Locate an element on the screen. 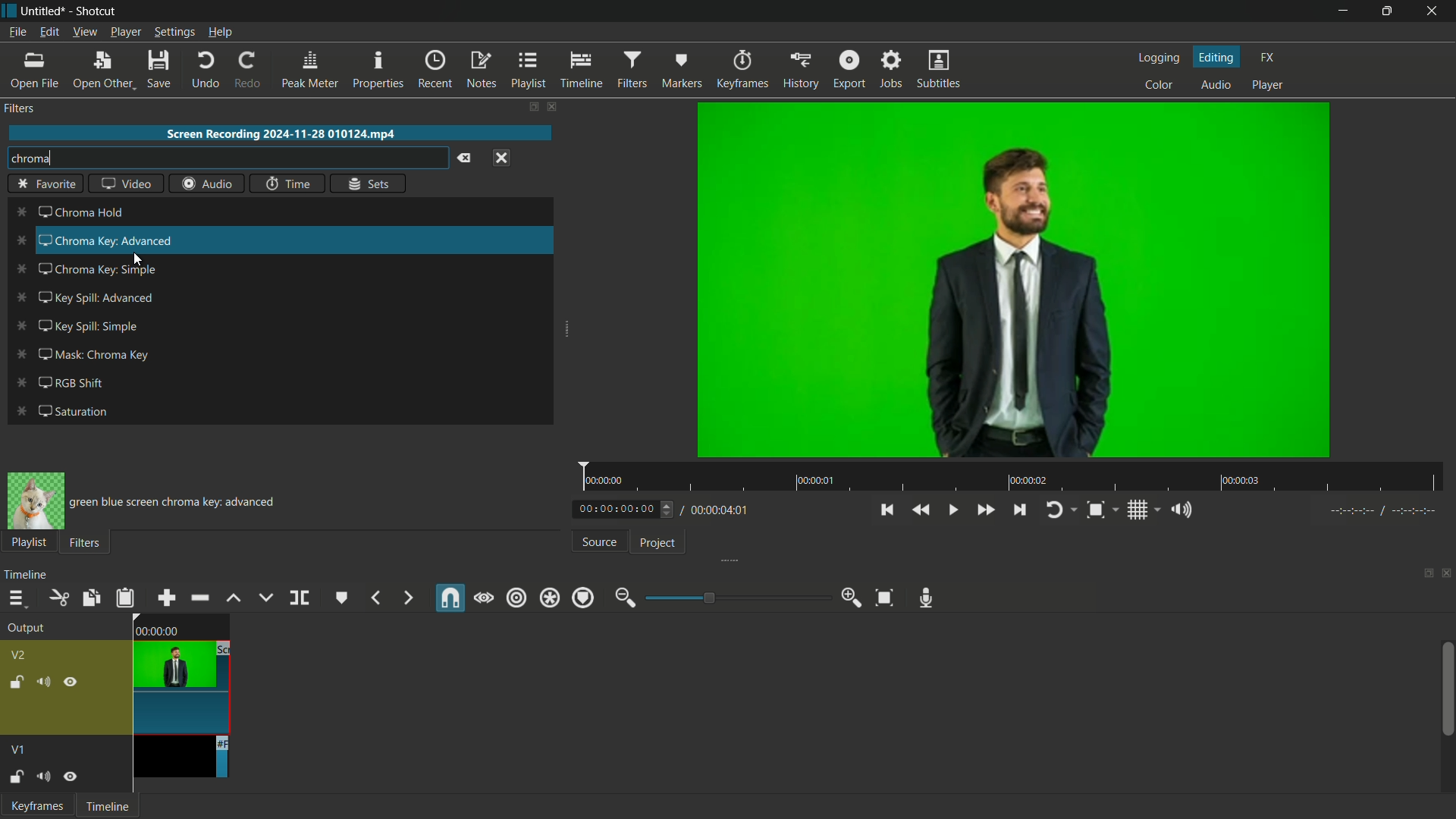  filter is located at coordinates (83, 541).